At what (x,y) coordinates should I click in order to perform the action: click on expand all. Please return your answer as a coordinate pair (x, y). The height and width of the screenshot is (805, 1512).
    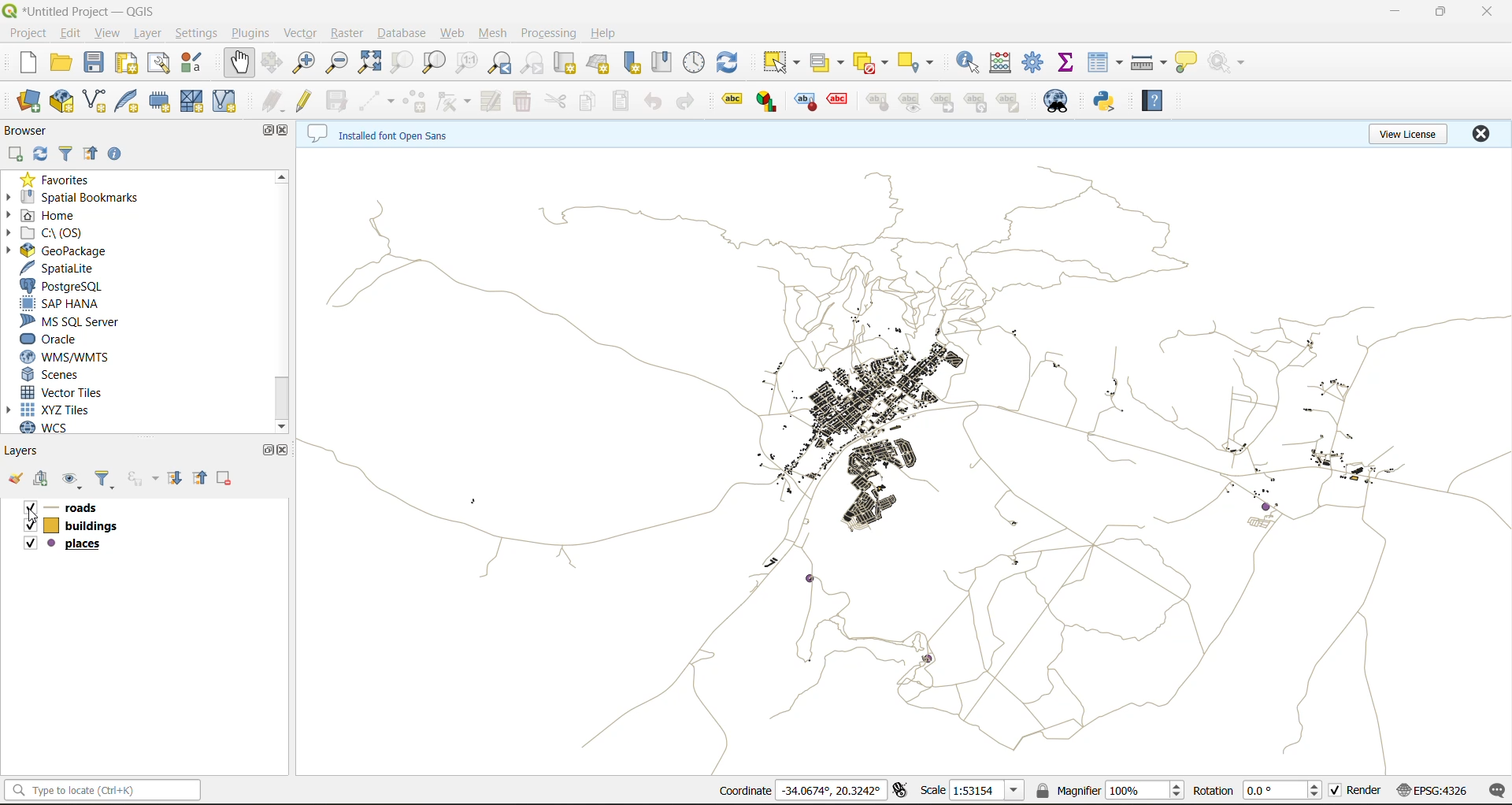
    Looking at the image, I should click on (180, 476).